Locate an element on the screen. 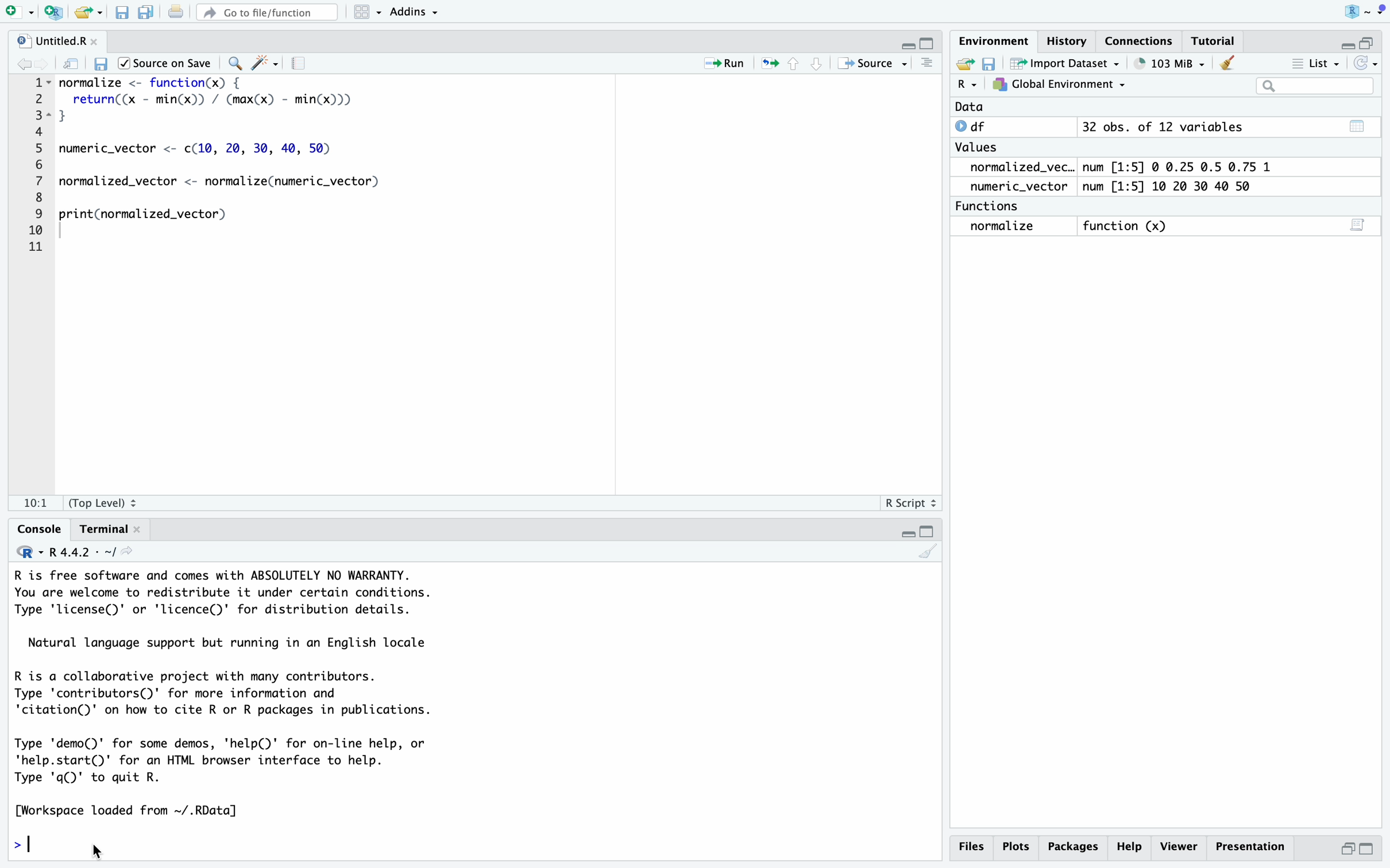 This screenshot has height=868, width=1390. Environment is located at coordinates (995, 40).